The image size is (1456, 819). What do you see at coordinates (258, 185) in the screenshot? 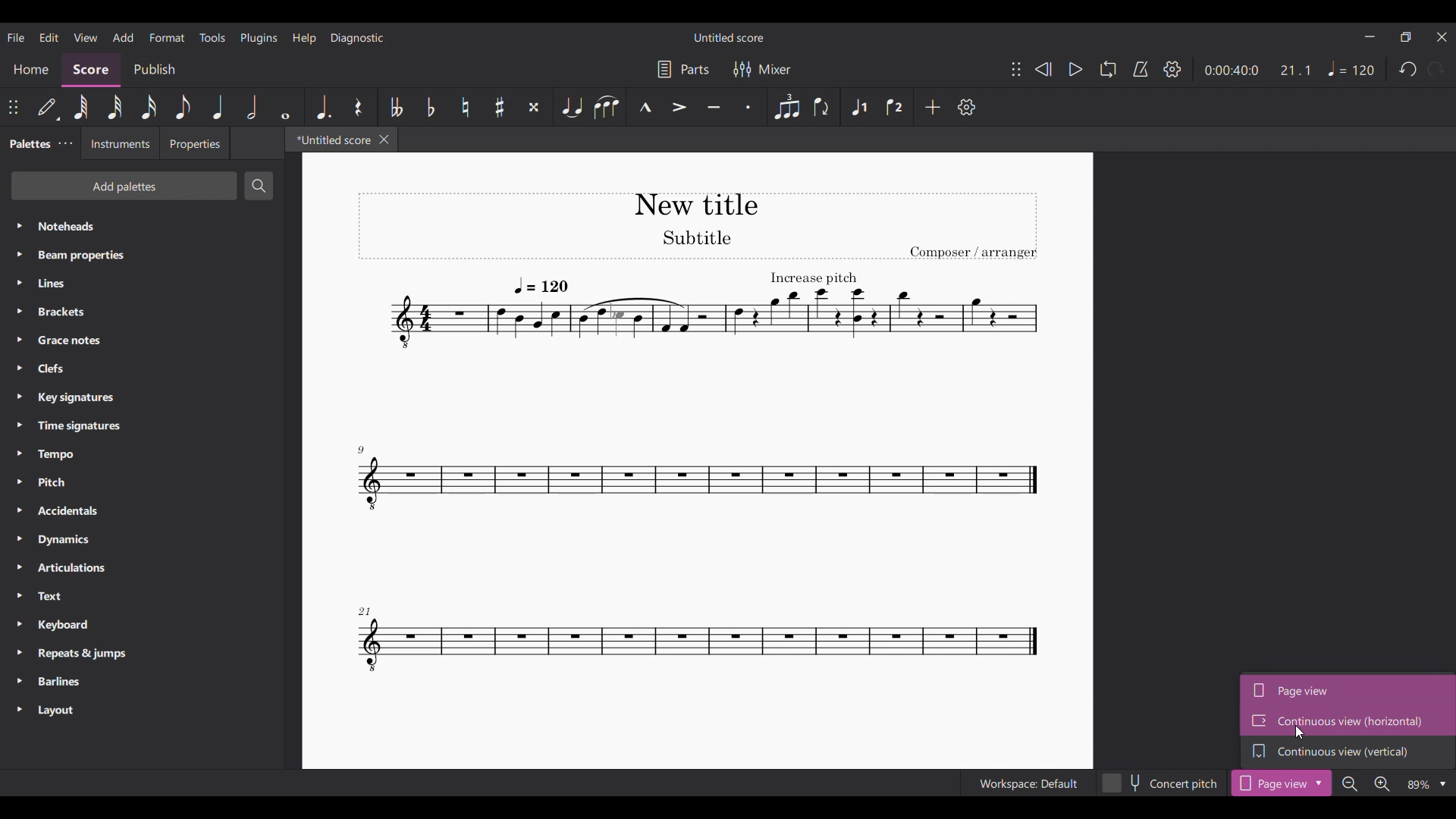
I see `Search` at bounding box center [258, 185].